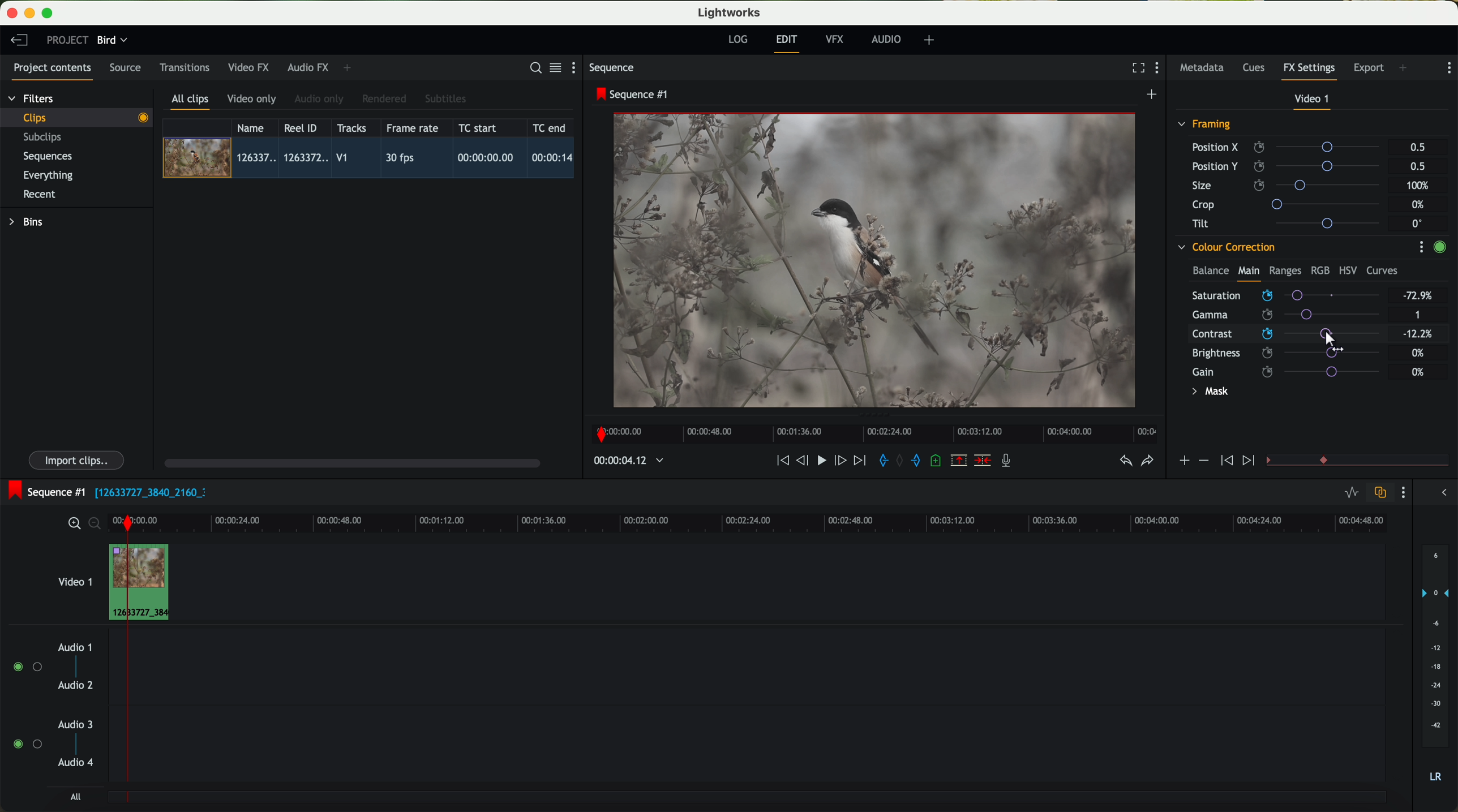 This screenshot has width=1458, height=812. Describe the element at coordinates (308, 67) in the screenshot. I see `audio FX` at that location.